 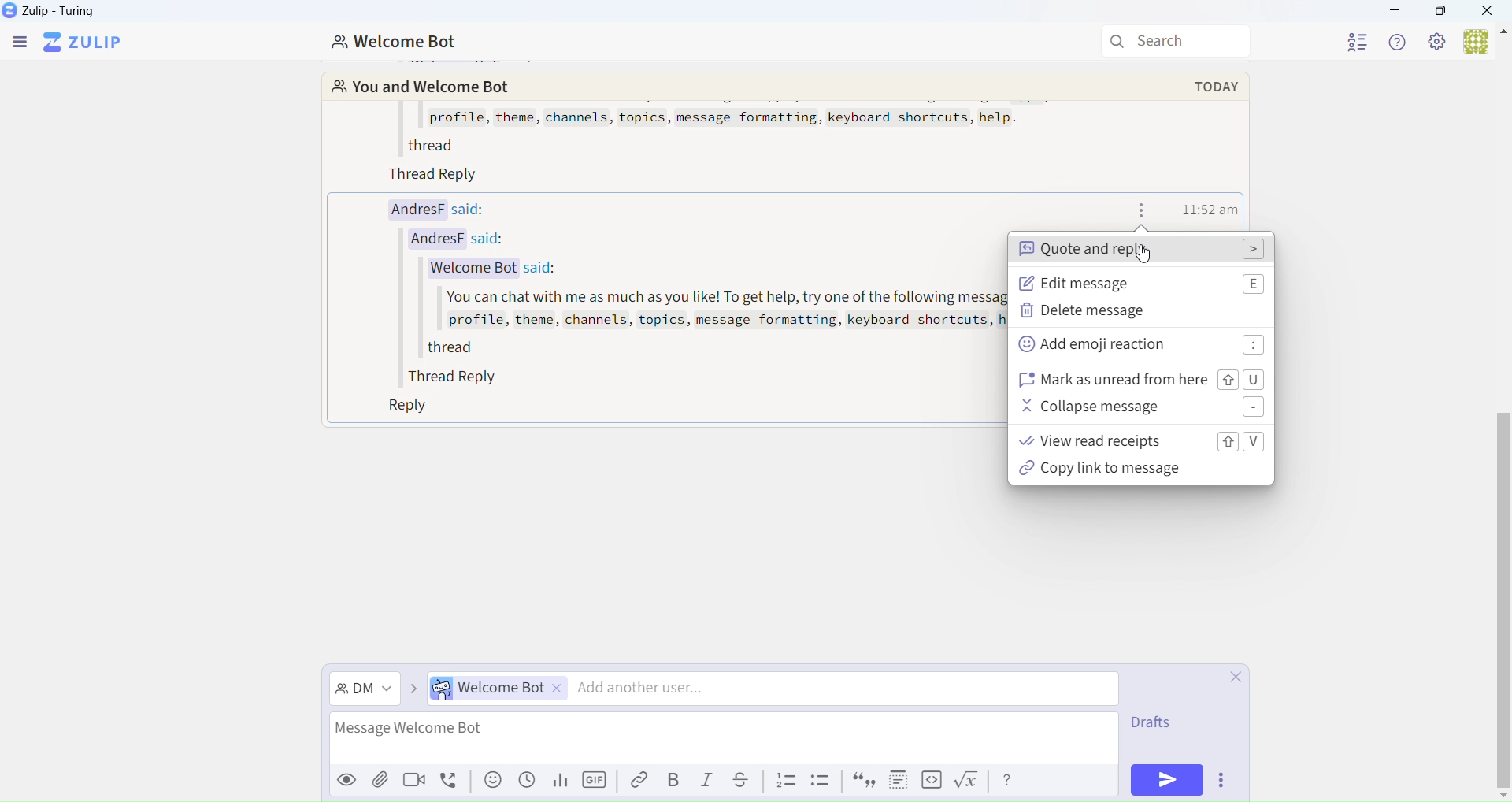 What do you see at coordinates (1441, 12) in the screenshot?
I see `Box` at bounding box center [1441, 12].